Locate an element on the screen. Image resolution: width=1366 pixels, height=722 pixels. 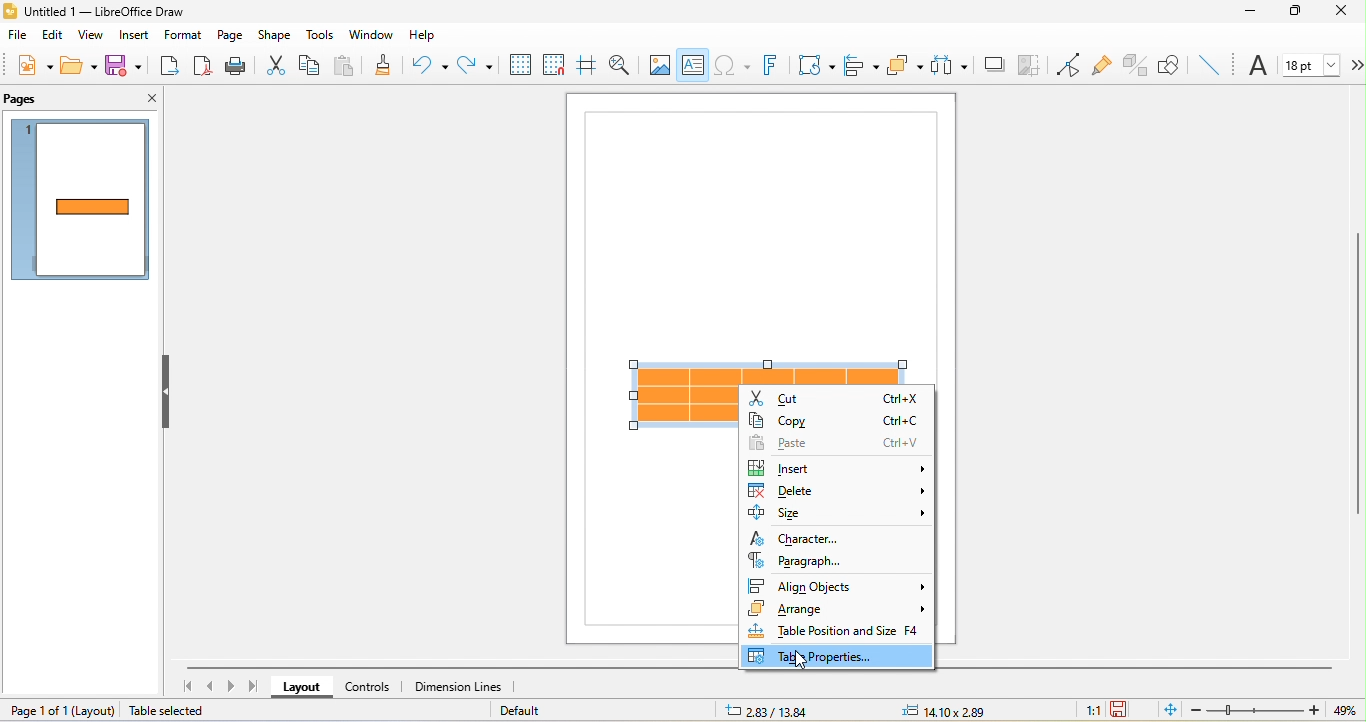
1:1 is located at coordinates (1085, 709).